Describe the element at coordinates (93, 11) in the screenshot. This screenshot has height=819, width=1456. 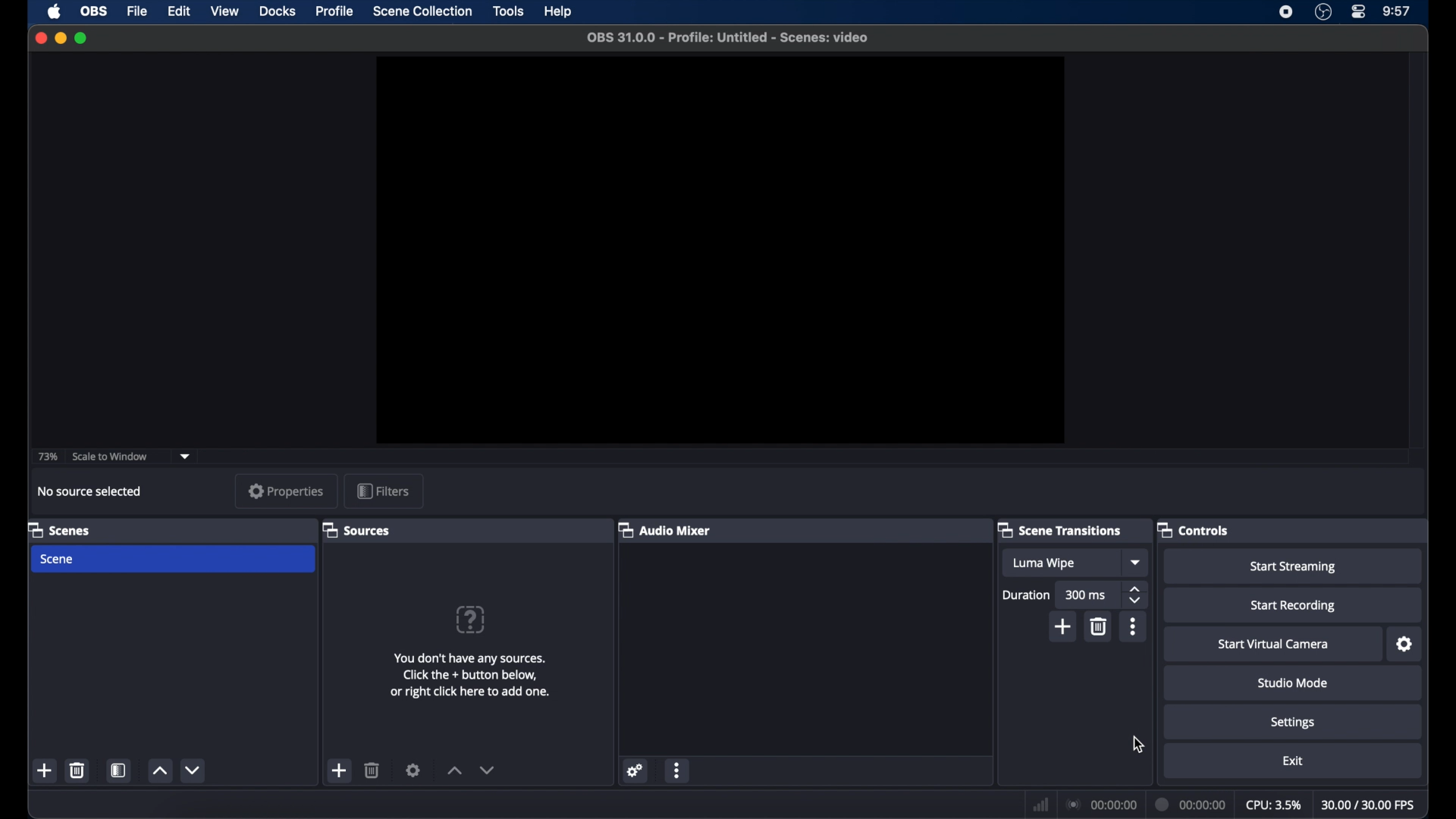
I see `obs` at that location.